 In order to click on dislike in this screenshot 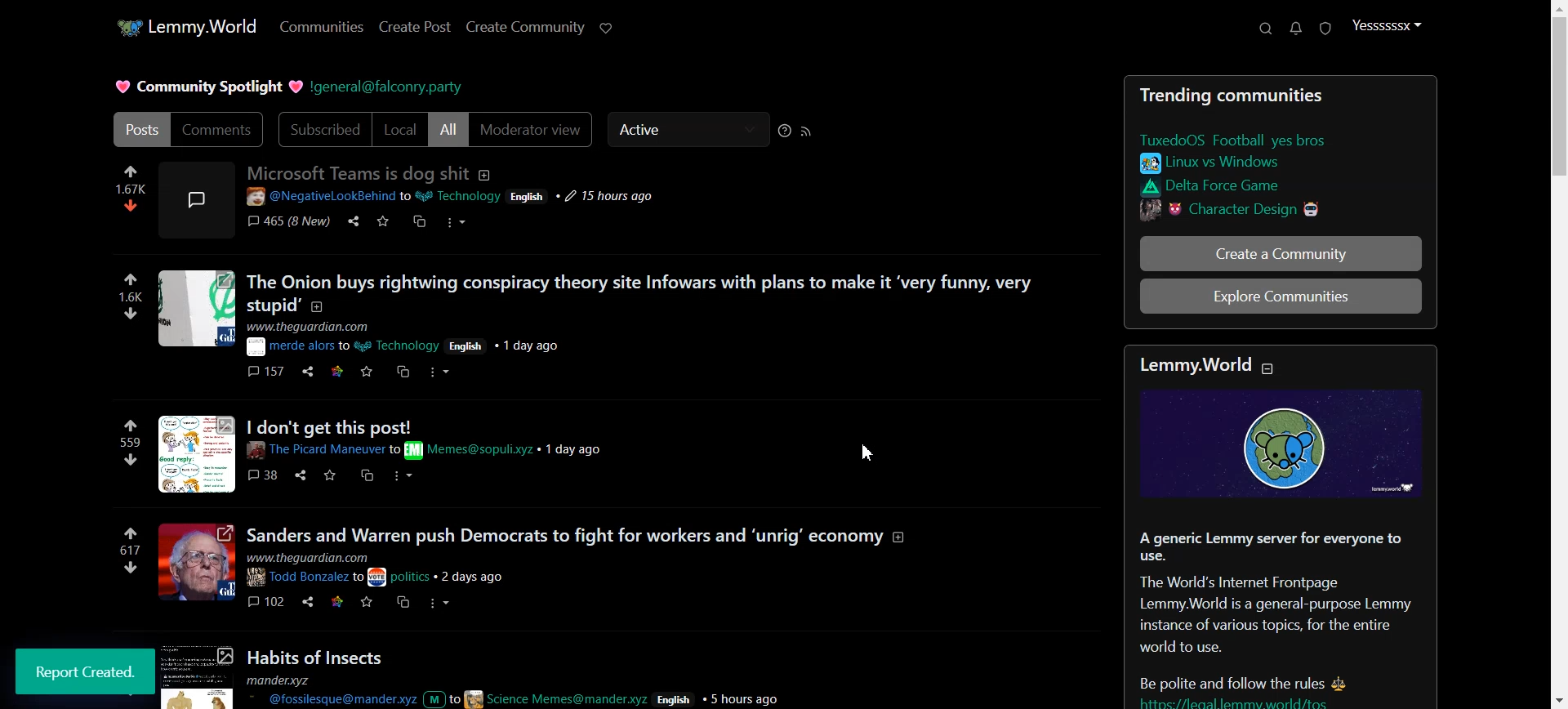, I will do `click(134, 314)`.